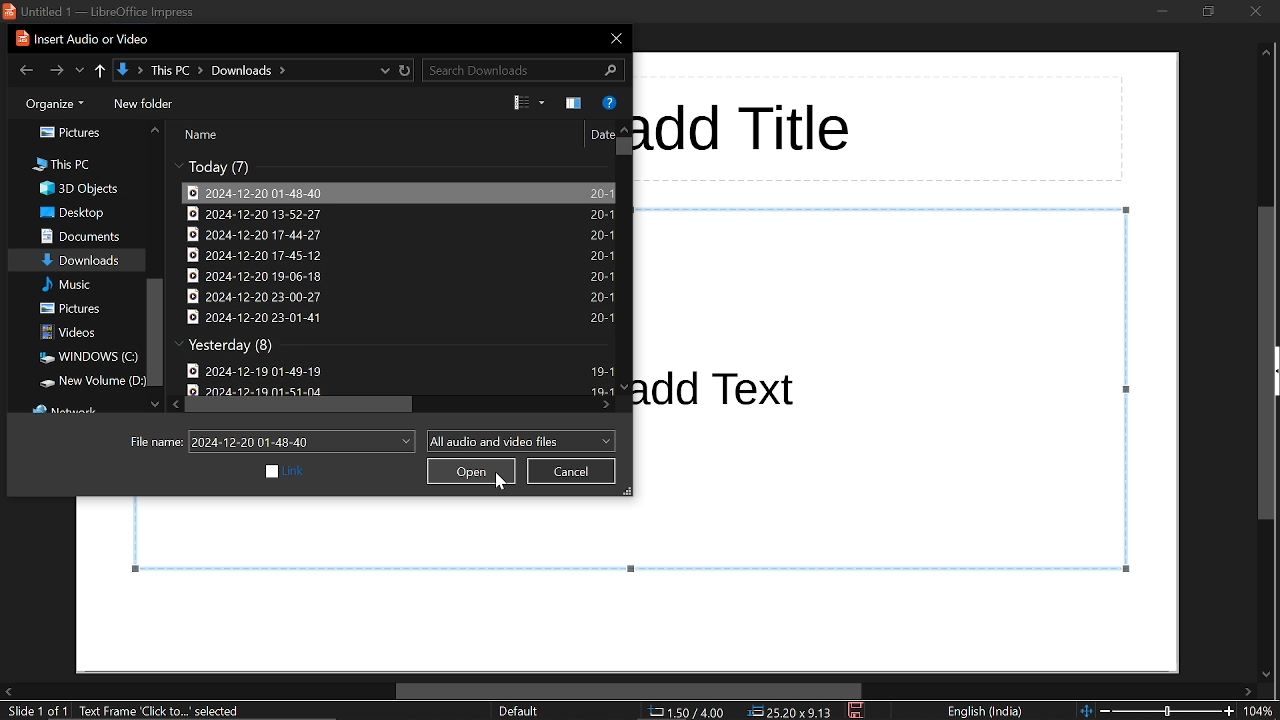 The image size is (1280, 720). I want to click on current zoom, so click(1262, 711).